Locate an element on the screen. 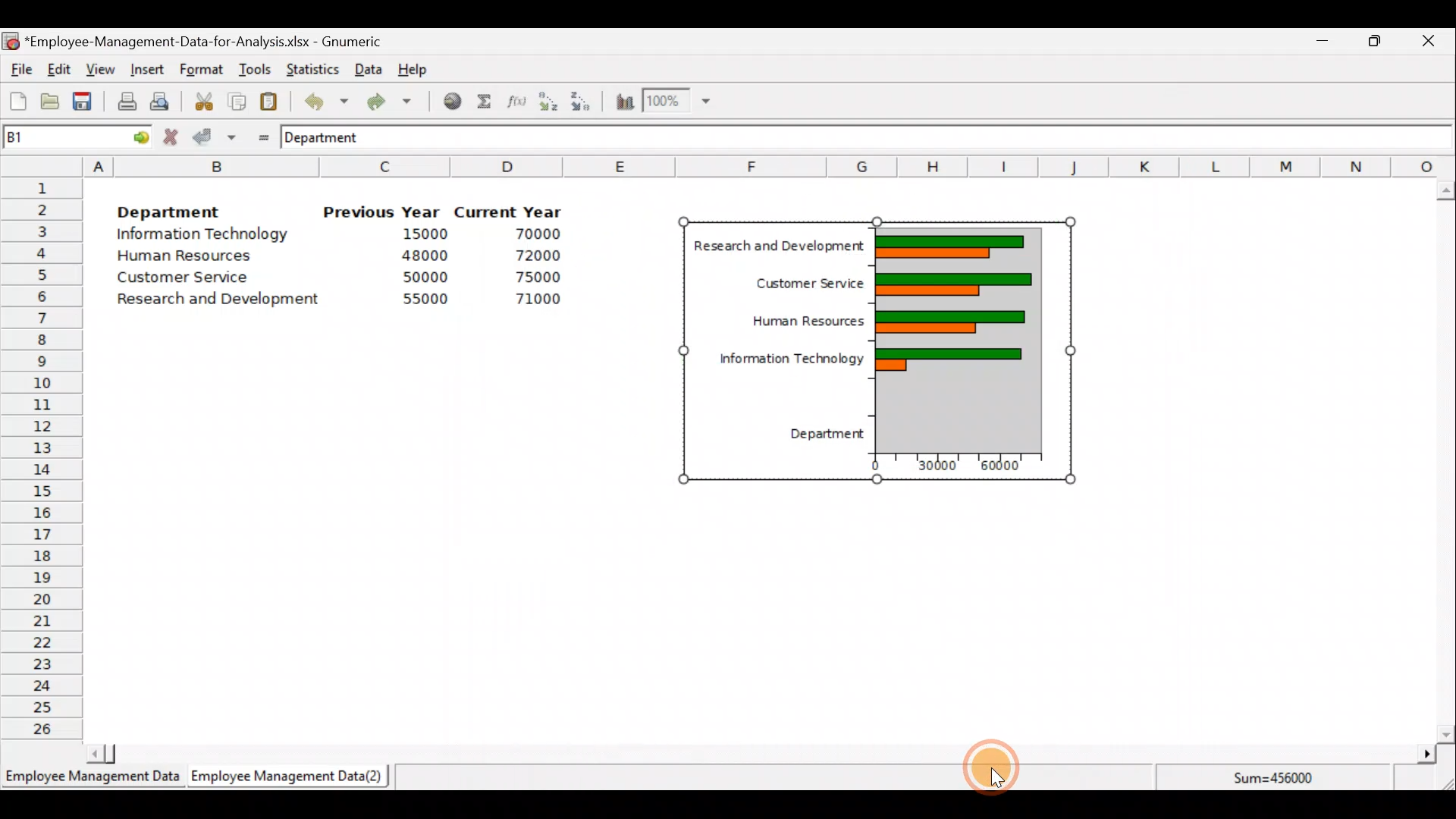  Open a file is located at coordinates (54, 103).